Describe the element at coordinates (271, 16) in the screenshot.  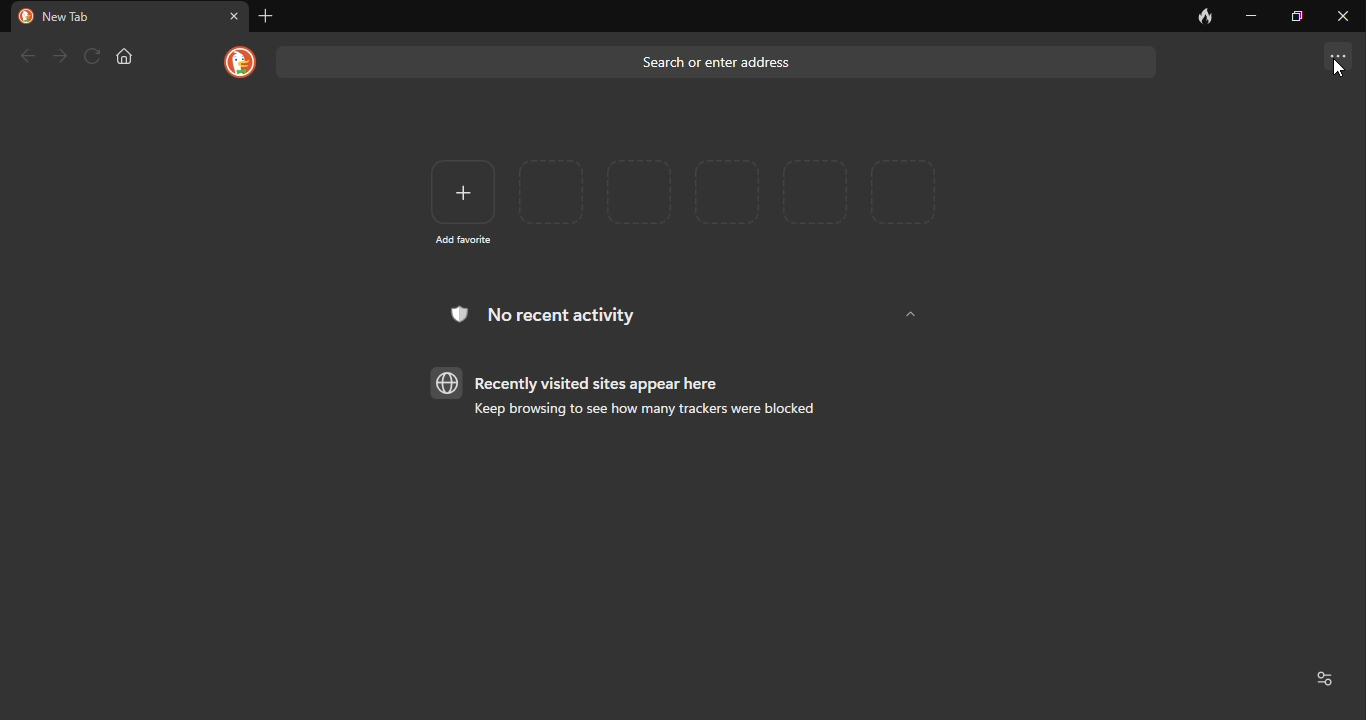
I see `add tab` at that location.